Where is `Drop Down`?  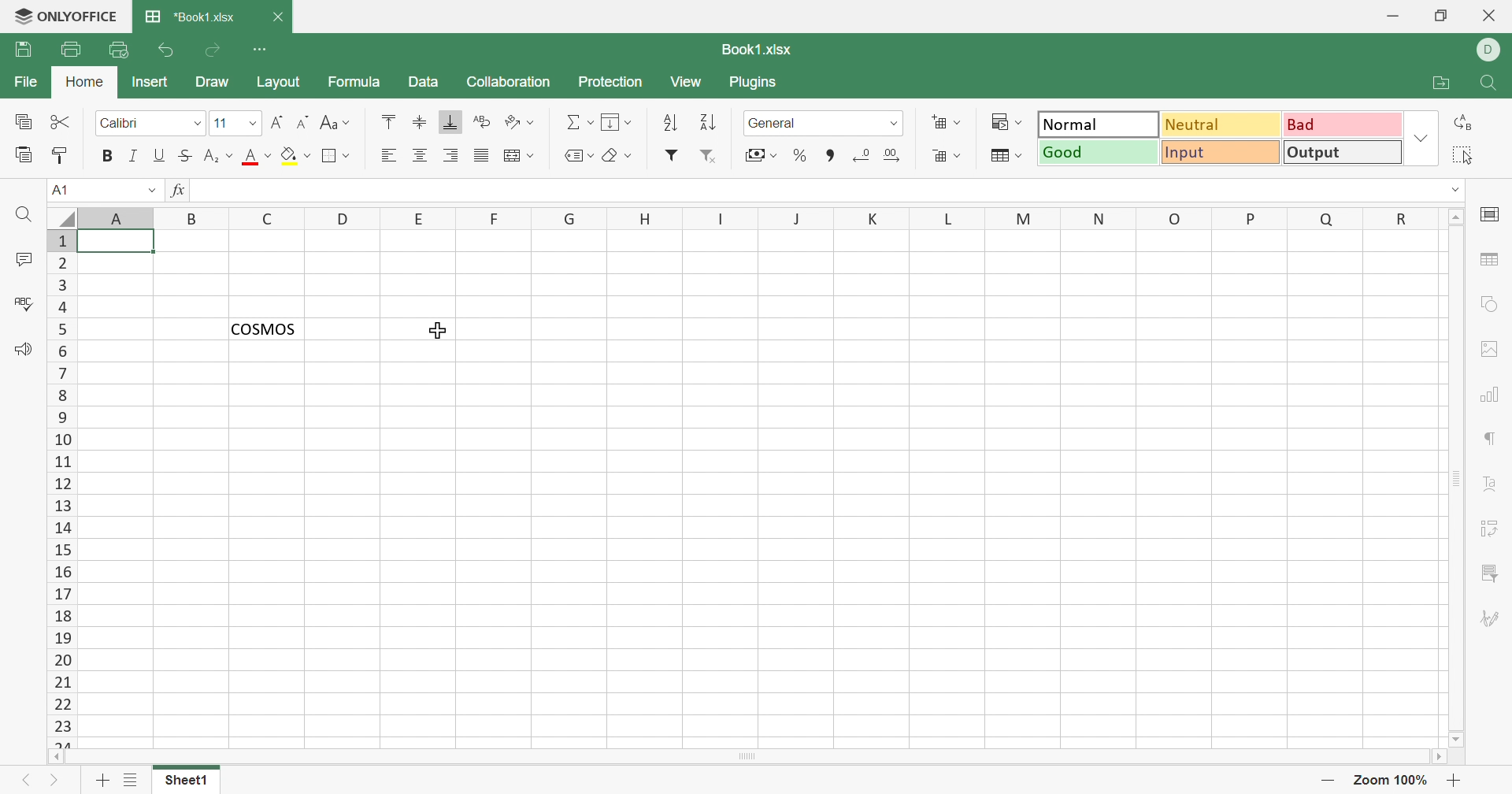
Drop Down is located at coordinates (150, 191).